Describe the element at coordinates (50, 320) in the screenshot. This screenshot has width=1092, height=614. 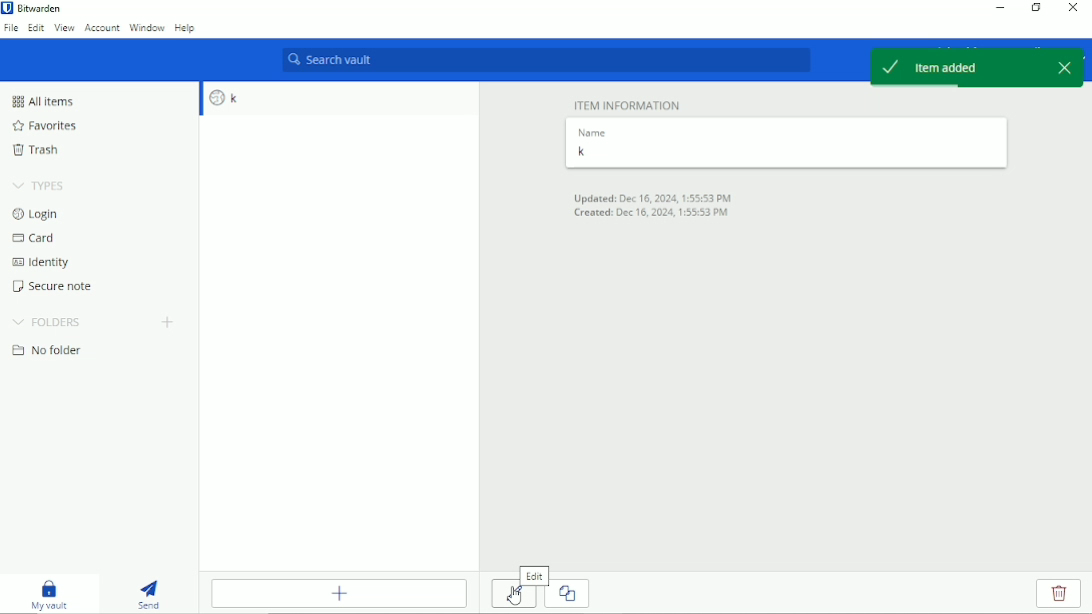
I see `Folders` at that location.